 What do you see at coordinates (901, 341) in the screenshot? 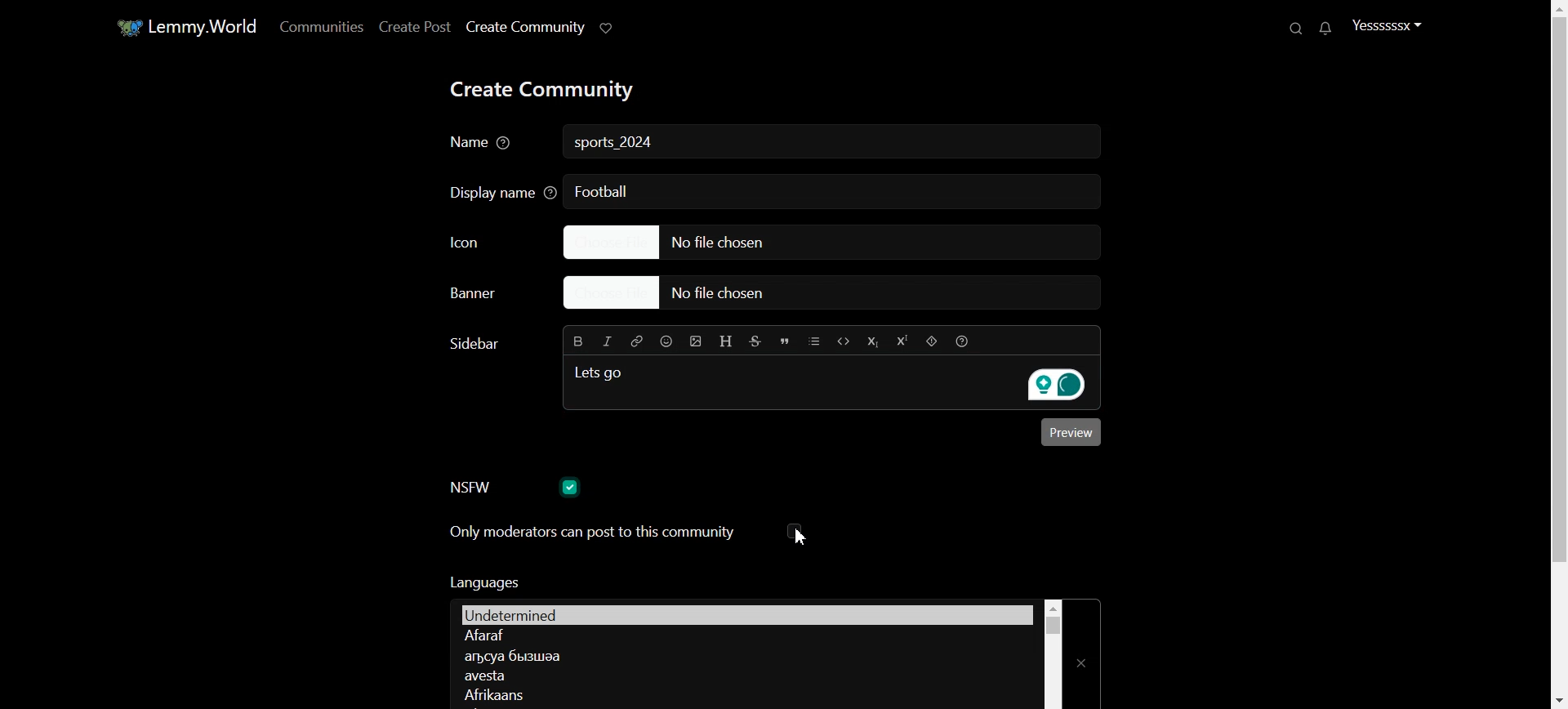
I see `Superscript` at bounding box center [901, 341].